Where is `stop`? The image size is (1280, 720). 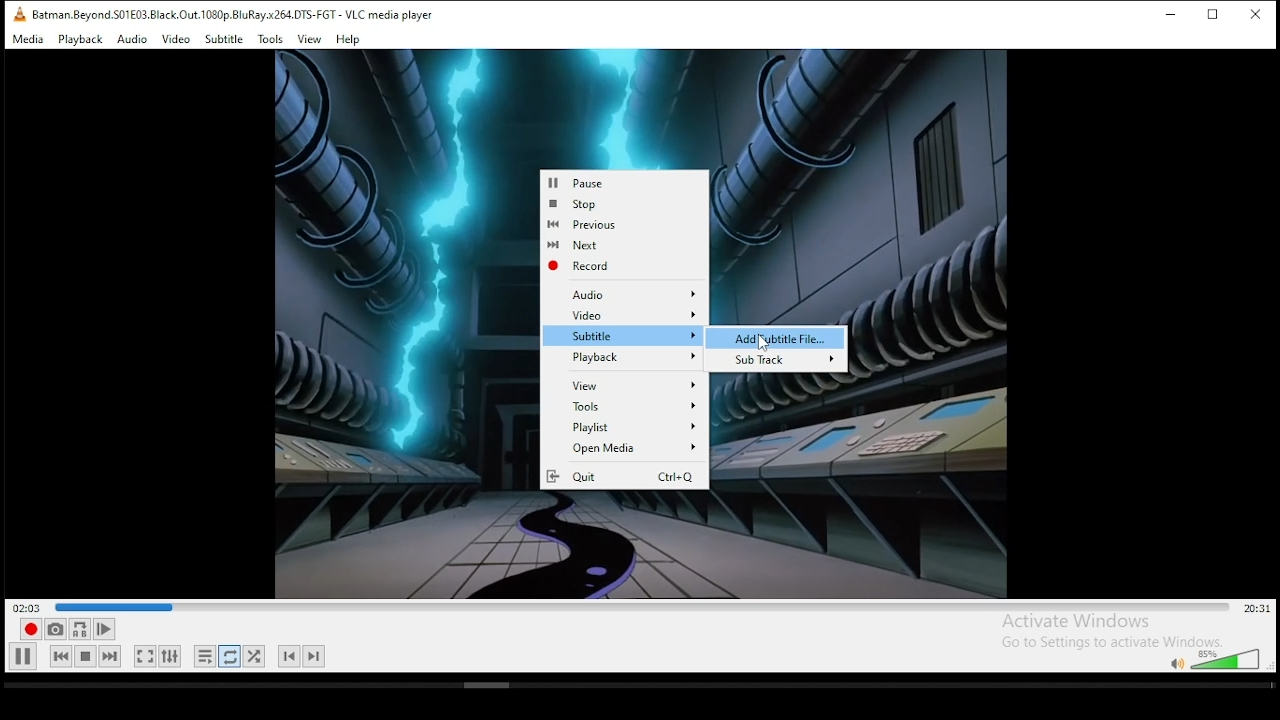 stop is located at coordinates (617, 204).